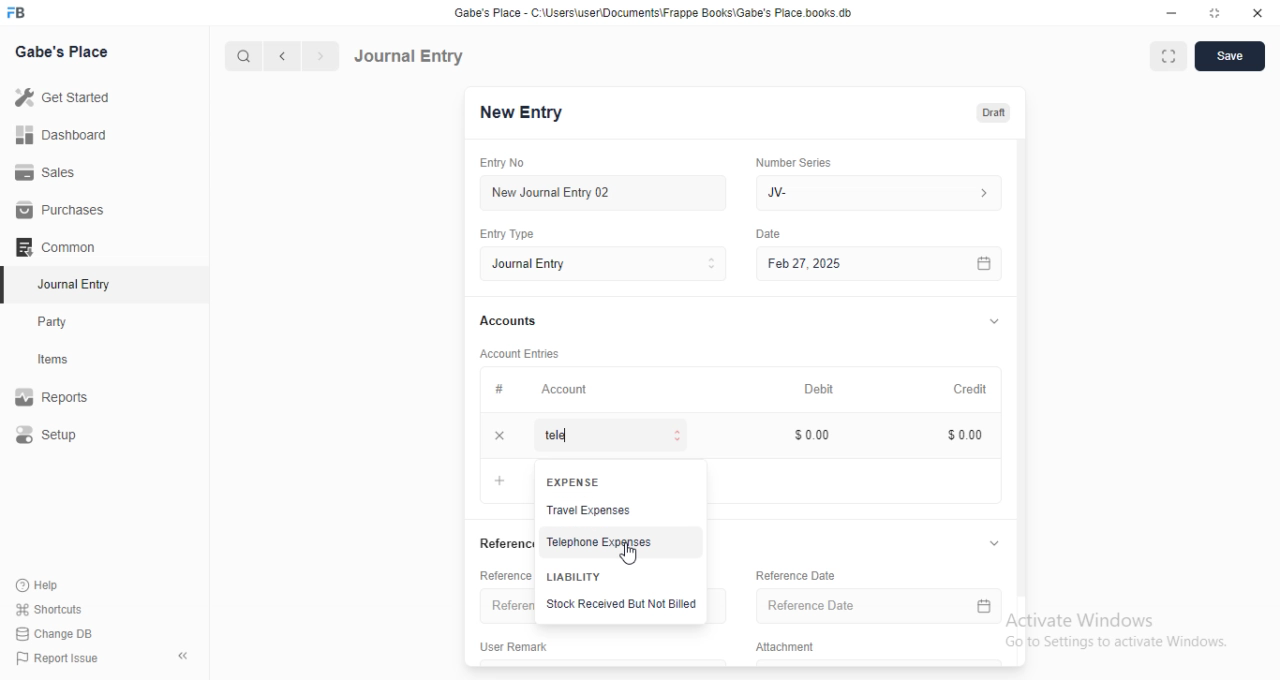  I want to click on Reports, so click(53, 394).